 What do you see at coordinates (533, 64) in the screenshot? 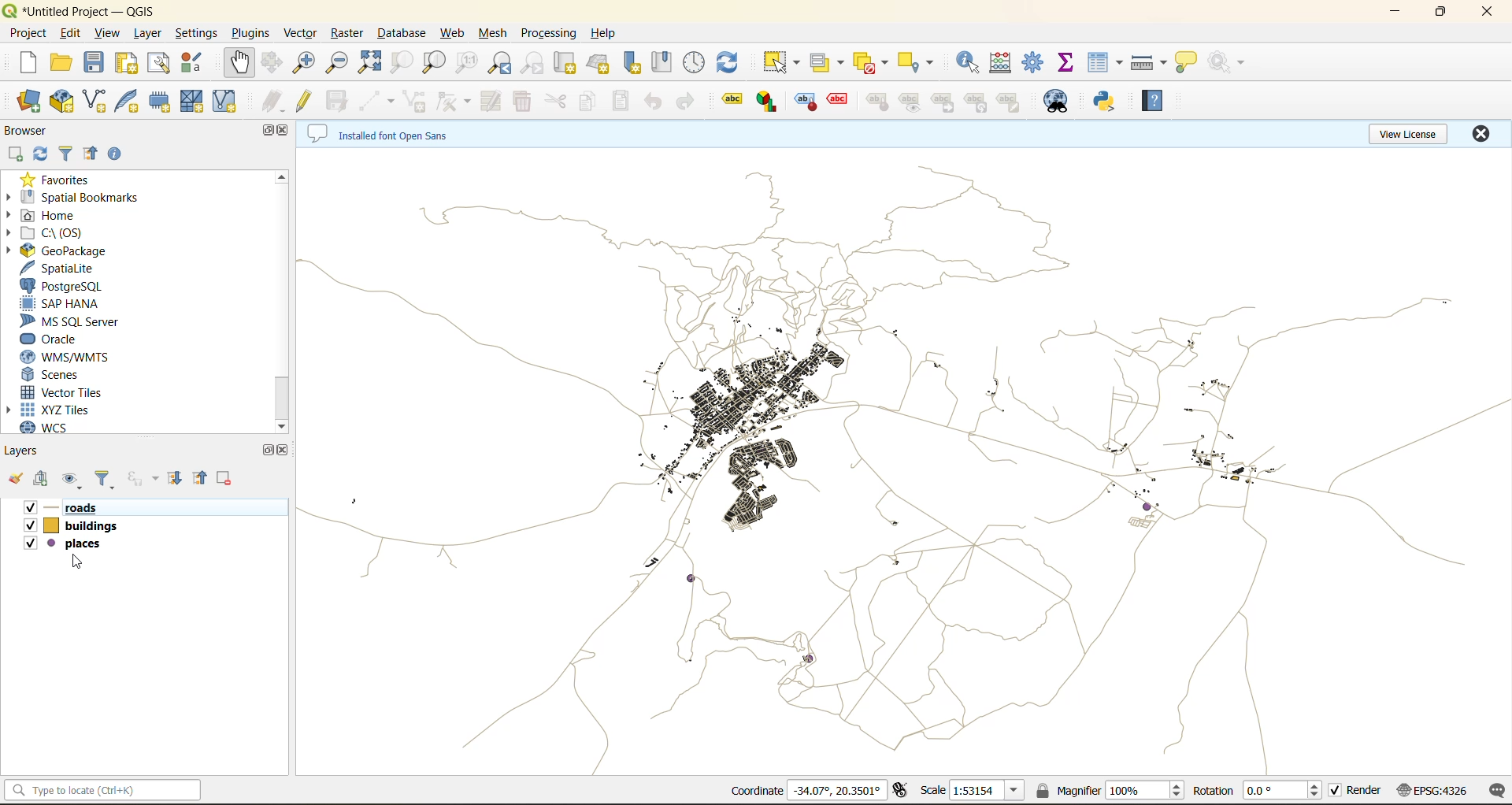
I see `zoom next` at bounding box center [533, 64].